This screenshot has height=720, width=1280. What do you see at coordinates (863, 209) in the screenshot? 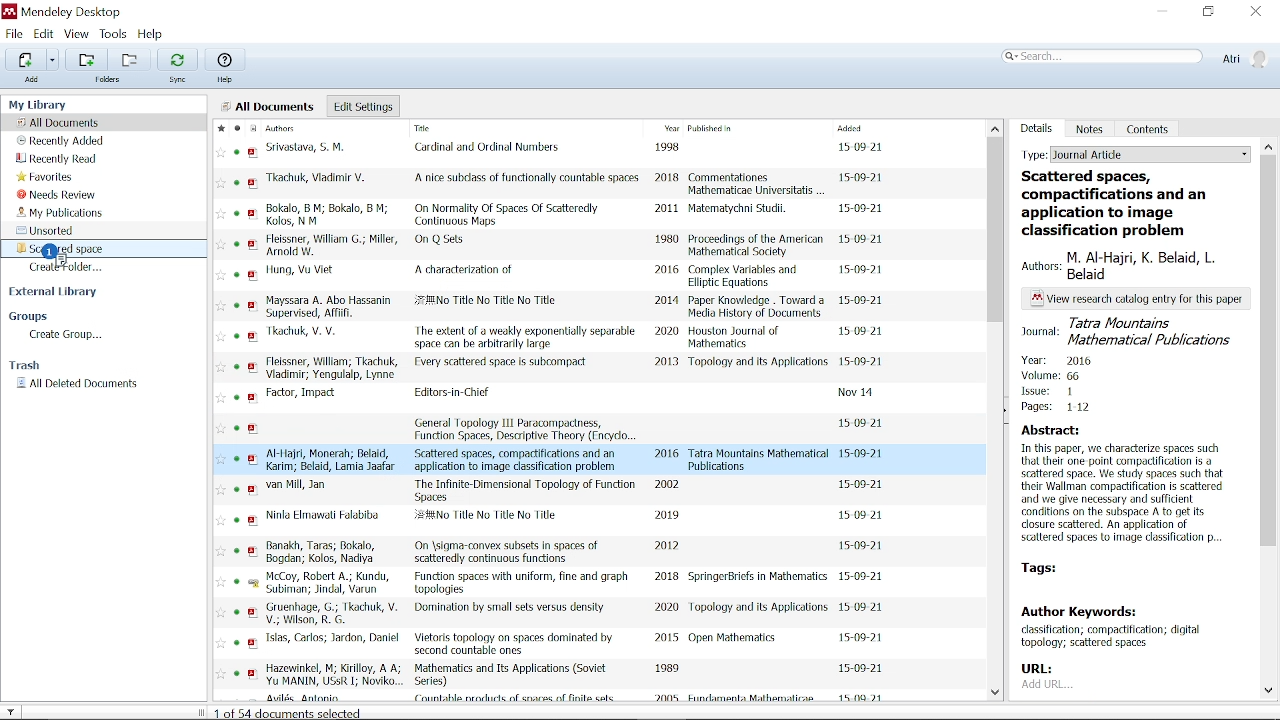
I see `date` at bounding box center [863, 209].